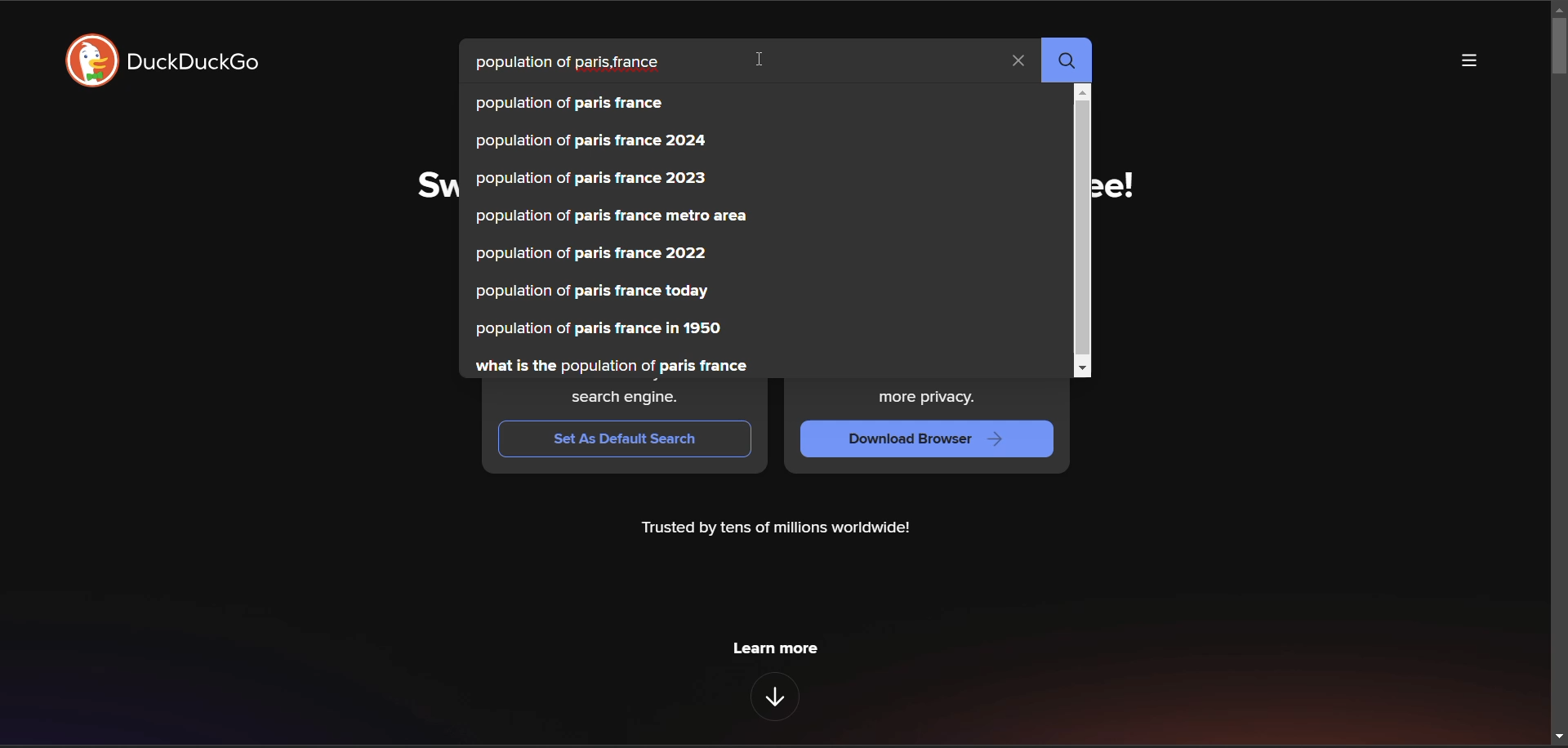 The image size is (1568, 748). Describe the element at coordinates (781, 531) in the screenshot. I see `Trusted by tens of millions worldwide!` at that location.